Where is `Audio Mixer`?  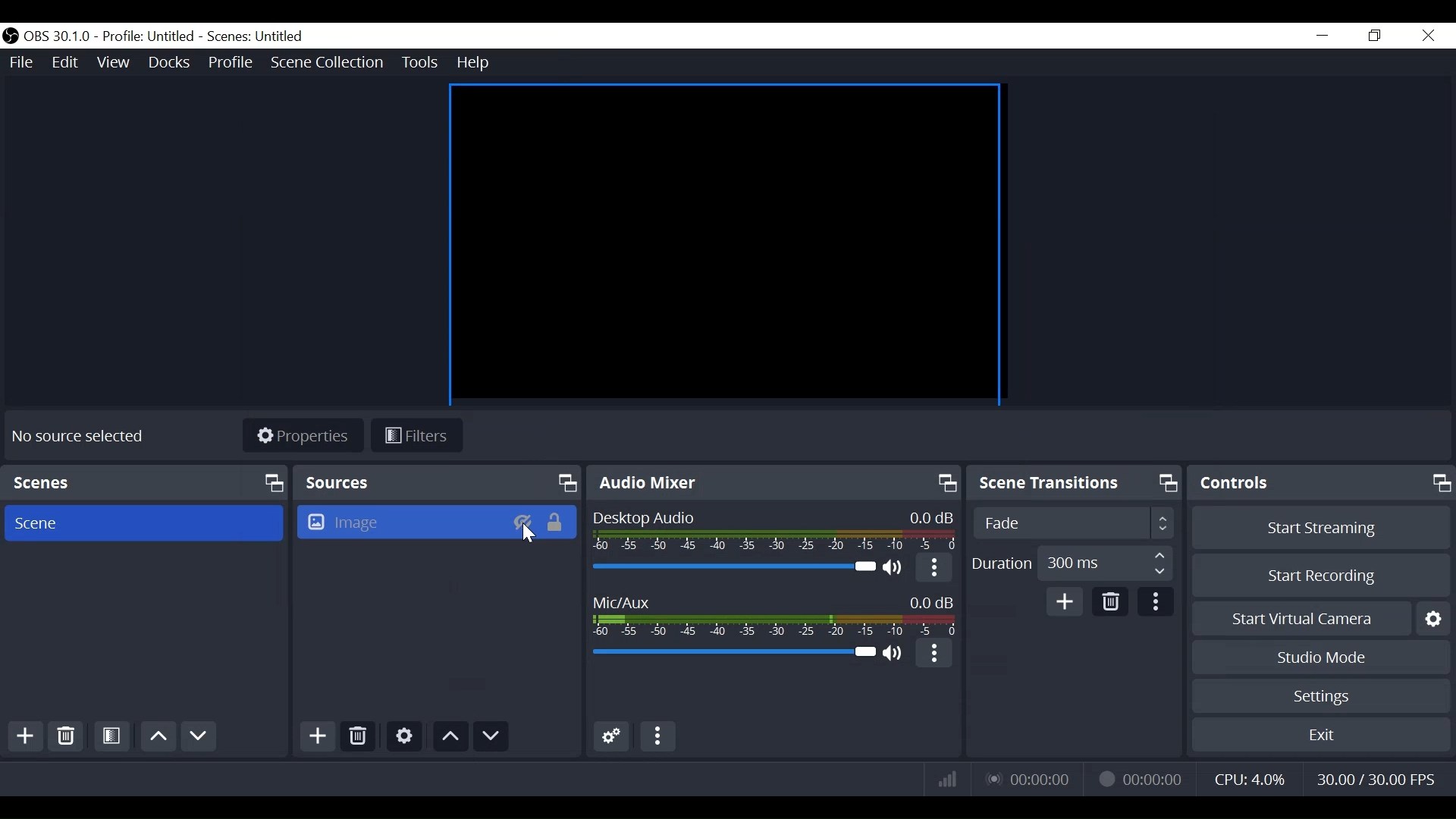 Audio Mixer is located at coordinates (772, 483).